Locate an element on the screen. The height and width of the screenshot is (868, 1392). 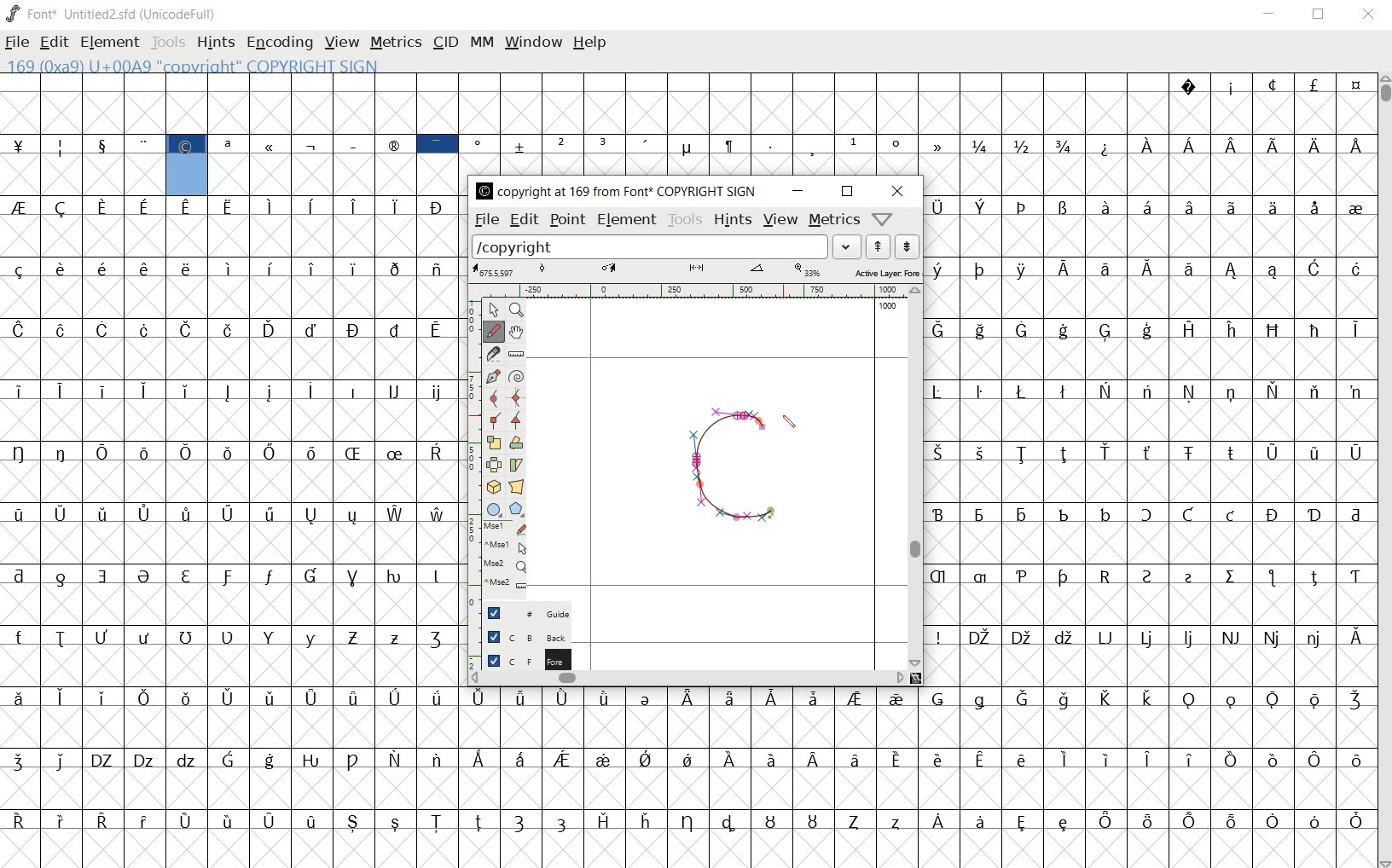
169 (0x9a) U+00A9 "copyright" COPYRIGHT SIGN is located at coordinates (200, 65).